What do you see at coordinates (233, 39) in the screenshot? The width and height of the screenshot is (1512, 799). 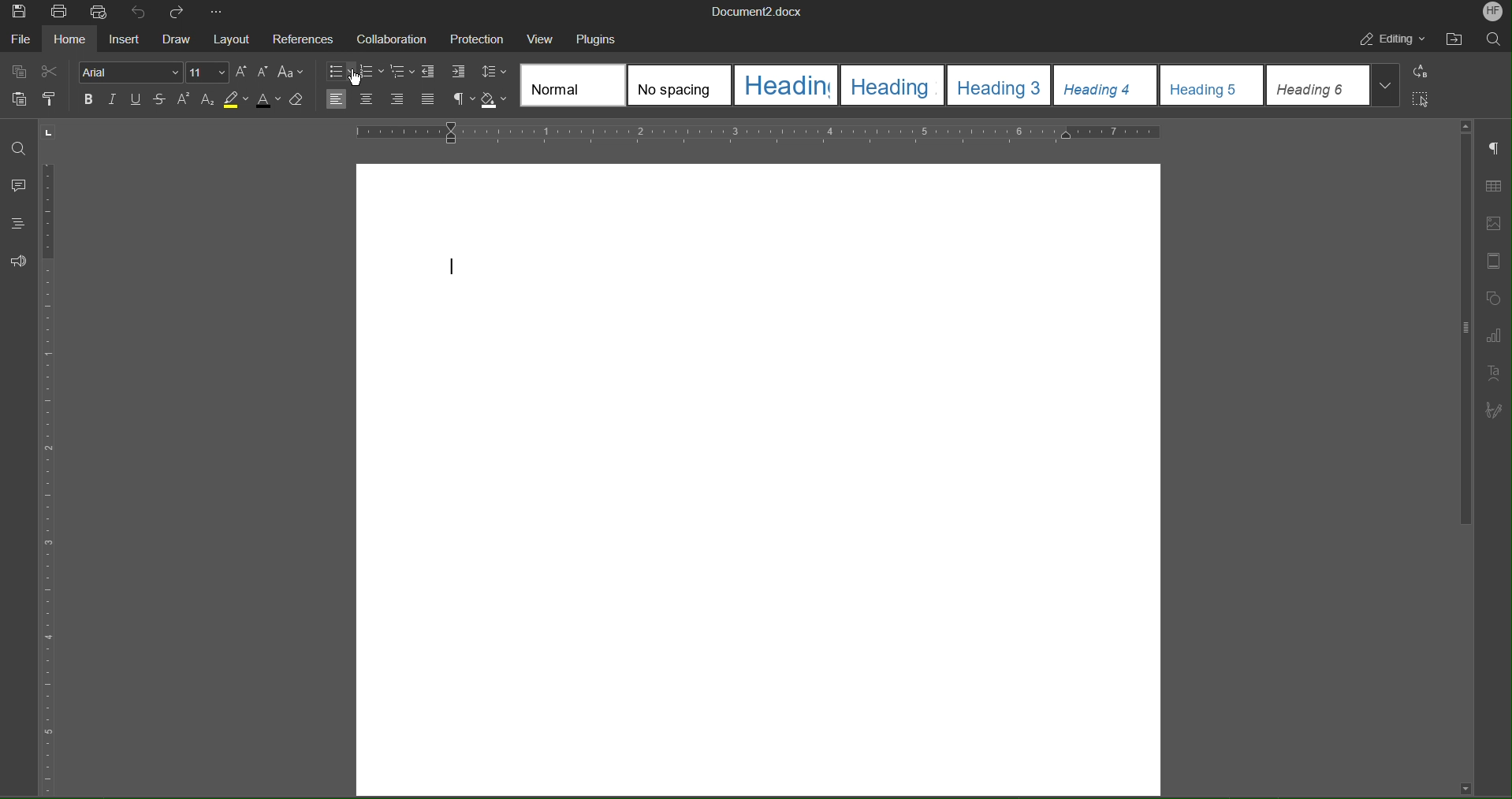 I see `Layout` at bounding box center [233, 39].